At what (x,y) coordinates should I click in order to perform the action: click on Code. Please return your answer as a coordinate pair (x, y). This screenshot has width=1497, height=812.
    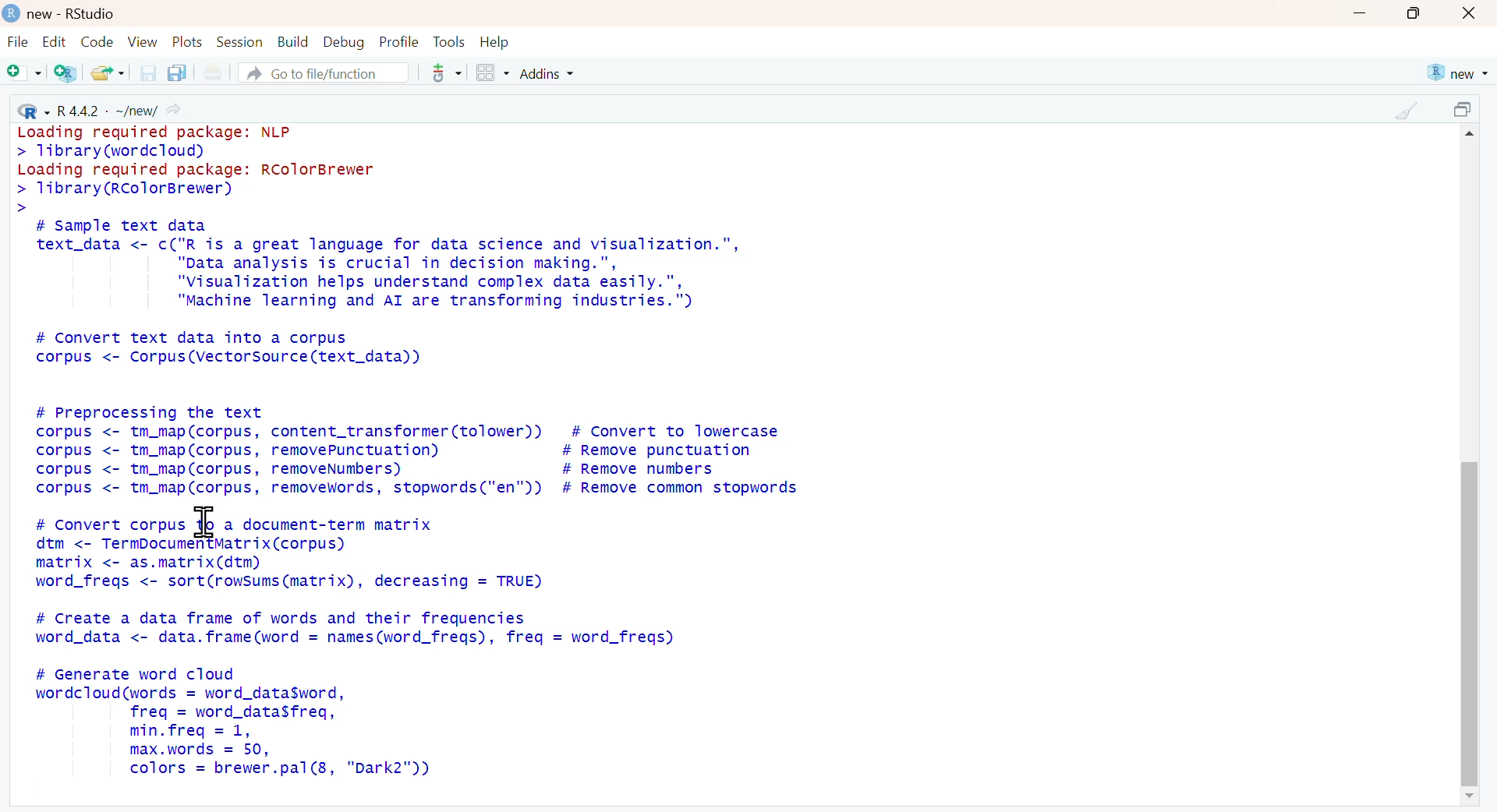
    Looking at the image, I should click on (97, 41).